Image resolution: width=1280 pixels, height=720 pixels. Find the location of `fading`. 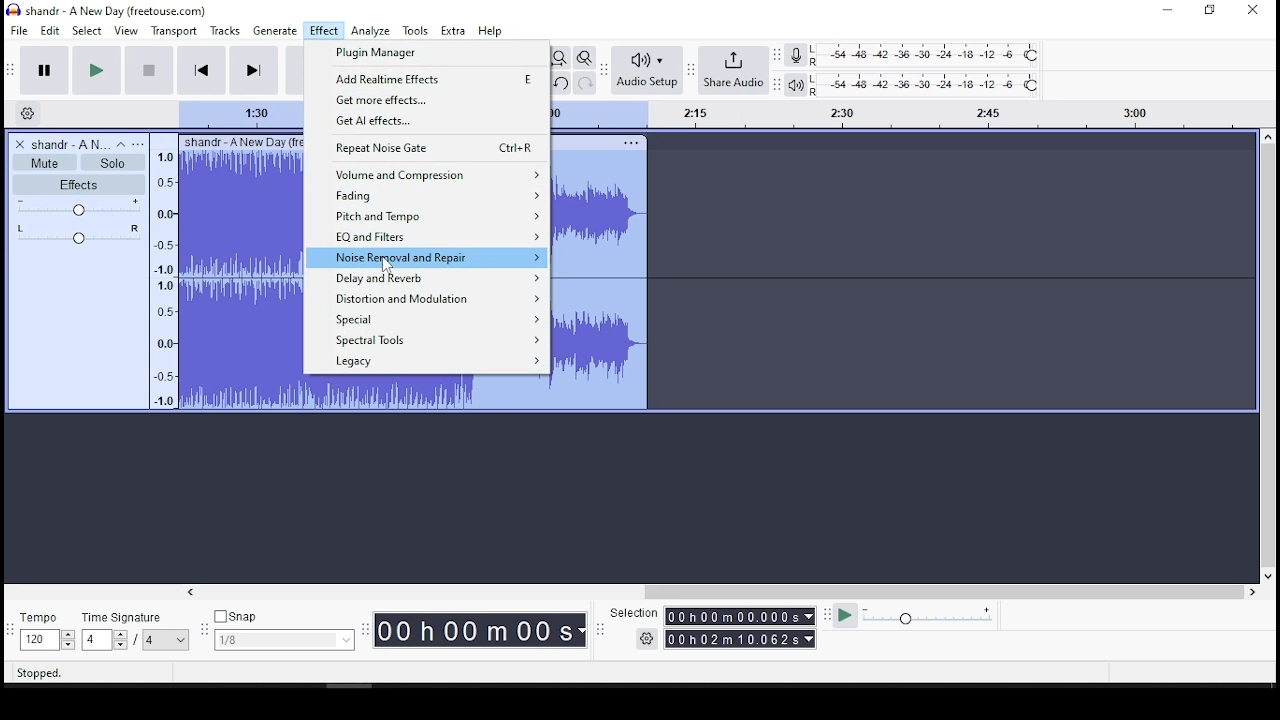

fading is located at coordinates (427, 195).